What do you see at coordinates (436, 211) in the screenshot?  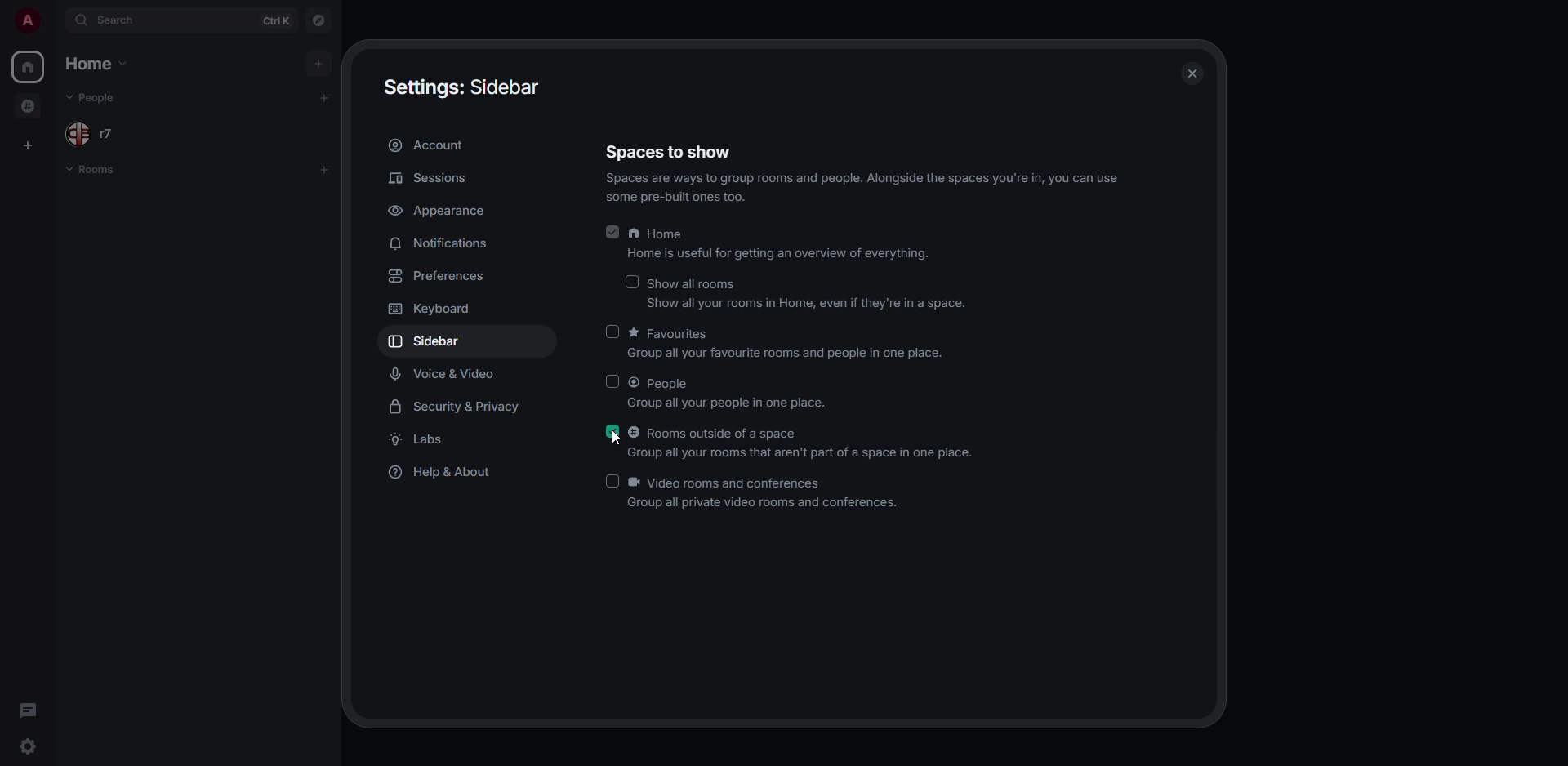 I see `appearance` at bounding box center [436, 211].